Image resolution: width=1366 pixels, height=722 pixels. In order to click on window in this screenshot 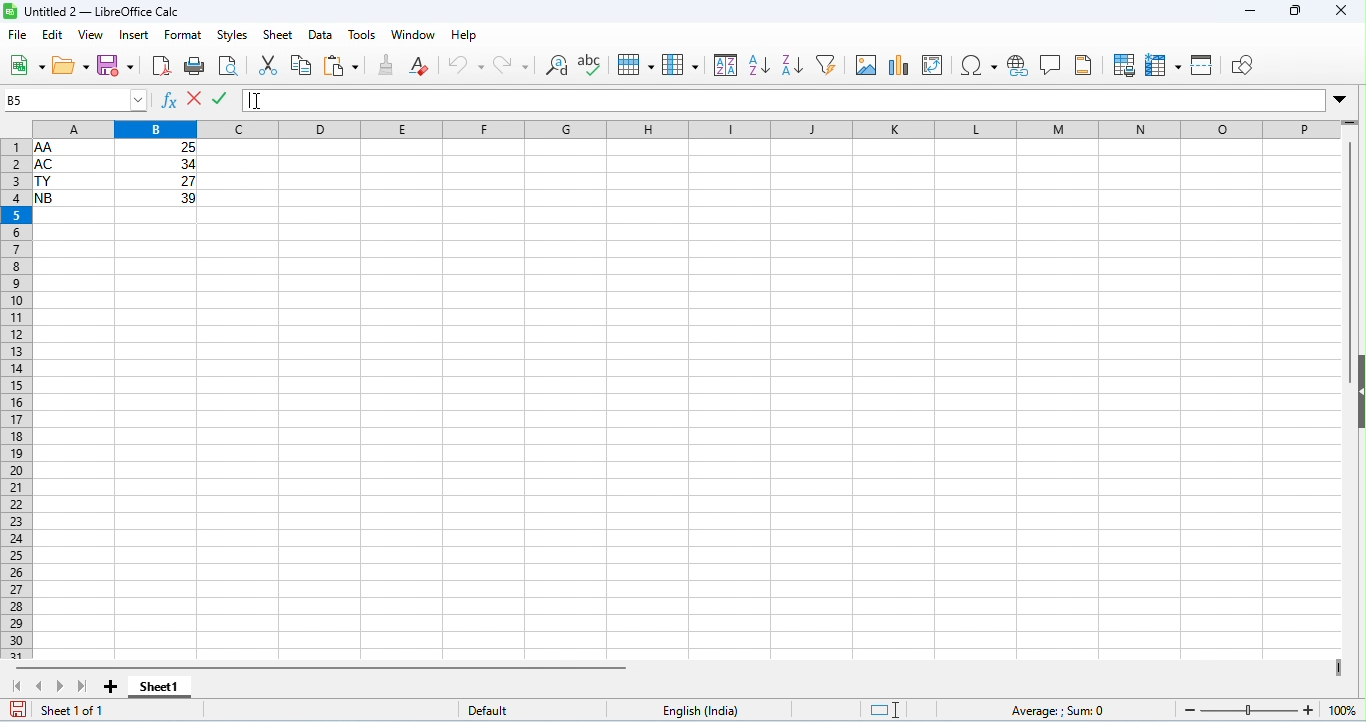, I will do `click(416, 35)`.